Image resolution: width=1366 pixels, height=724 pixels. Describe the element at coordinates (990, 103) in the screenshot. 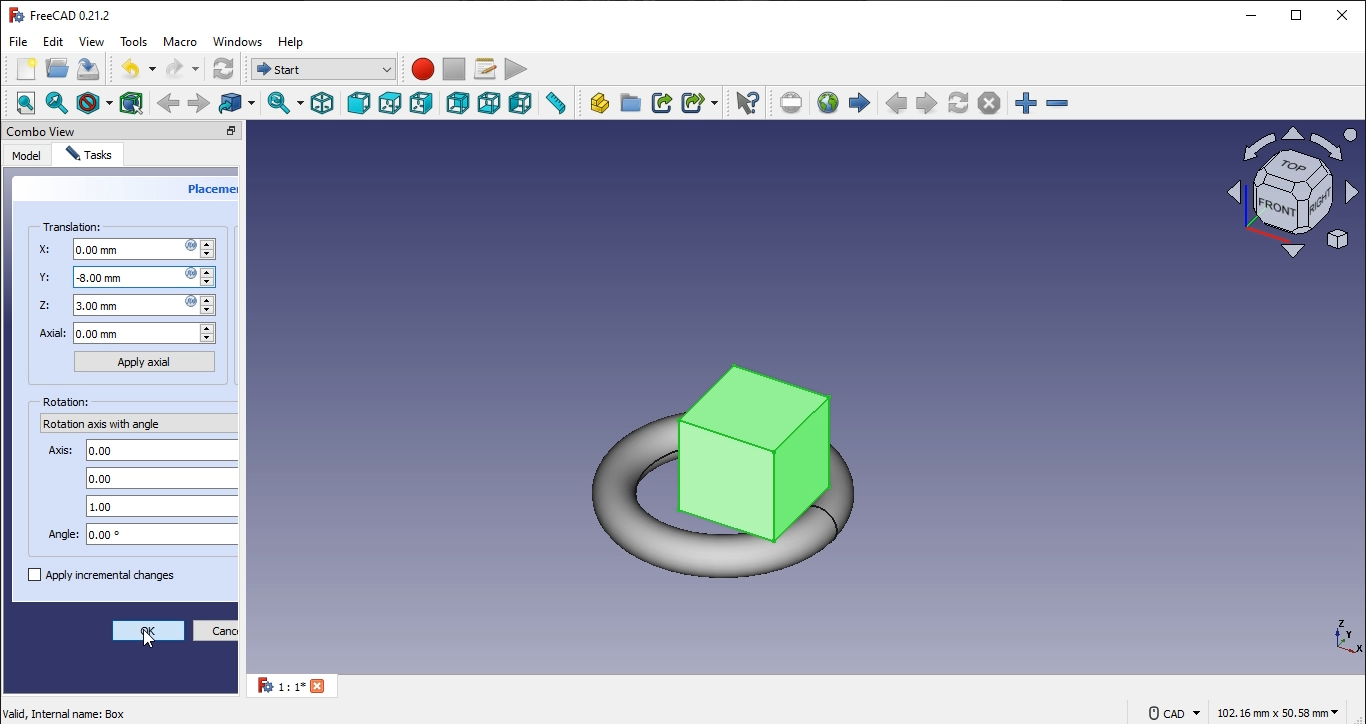

I see `stop loading` at that location.